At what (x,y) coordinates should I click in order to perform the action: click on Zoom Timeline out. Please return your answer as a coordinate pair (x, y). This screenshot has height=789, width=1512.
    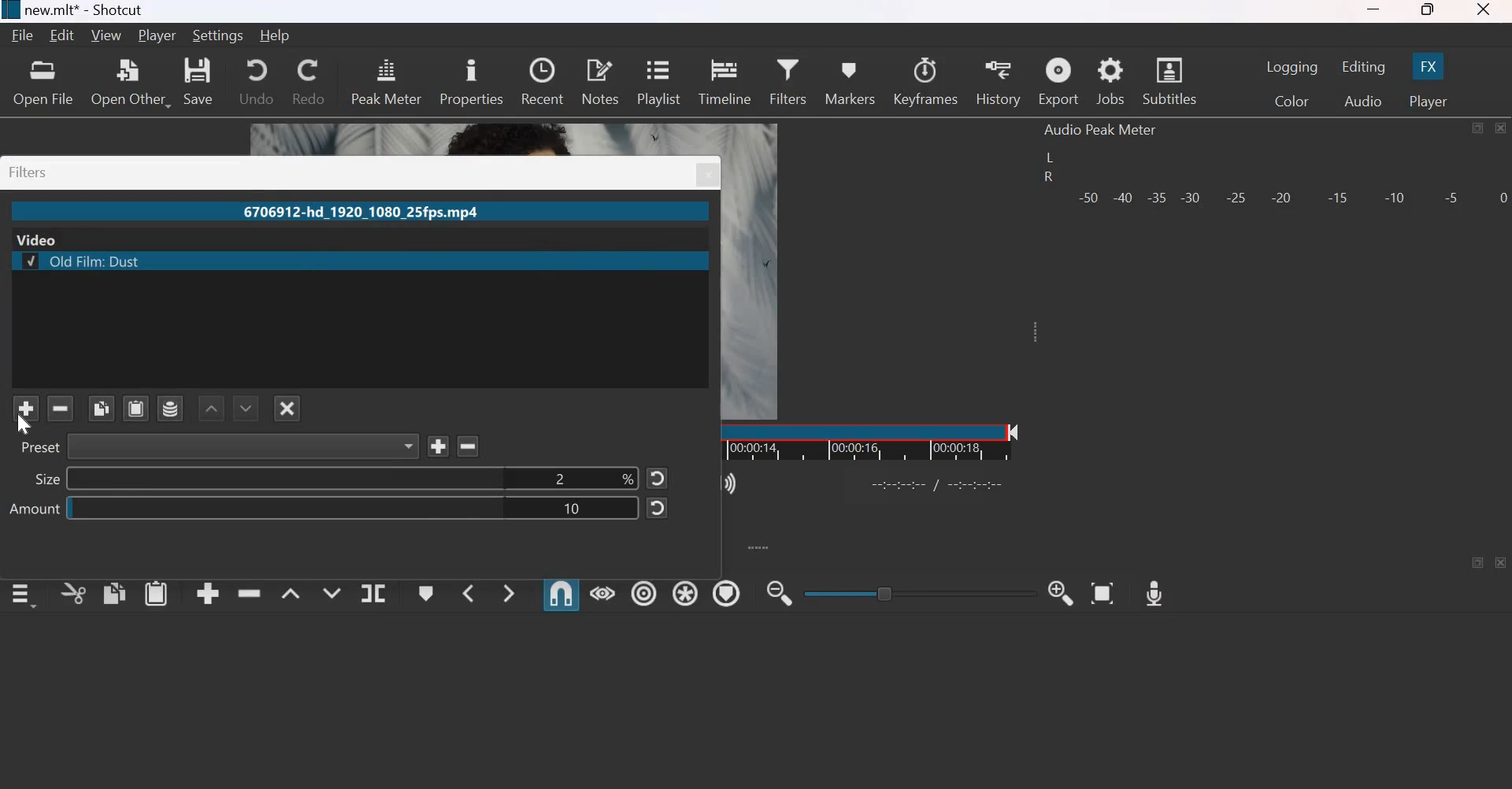
    Looking at the image, I should click on (781, 593).